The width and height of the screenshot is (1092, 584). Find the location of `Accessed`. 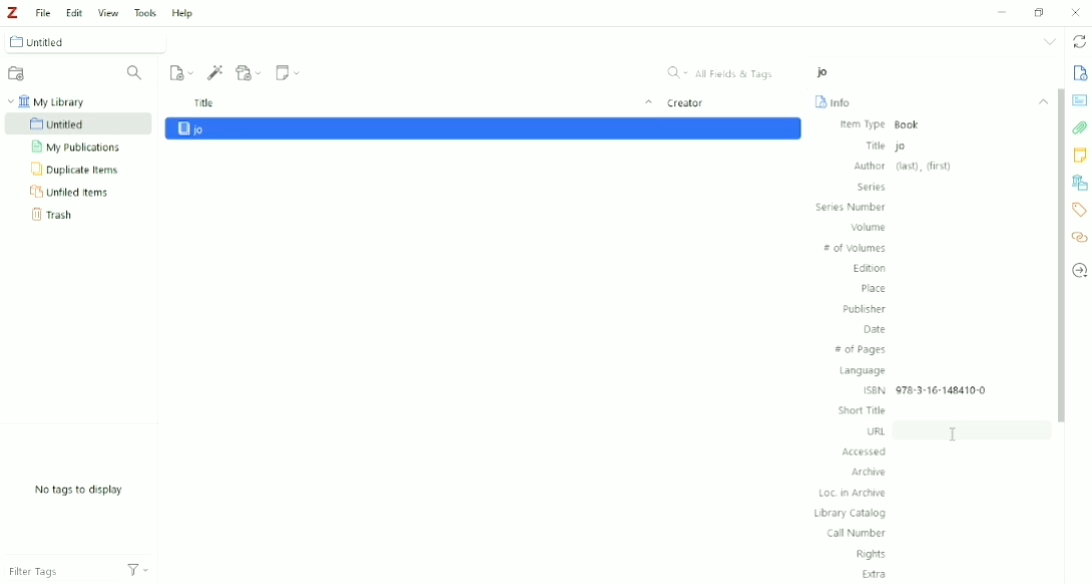

Accessed is located at coordinates (864, 452).